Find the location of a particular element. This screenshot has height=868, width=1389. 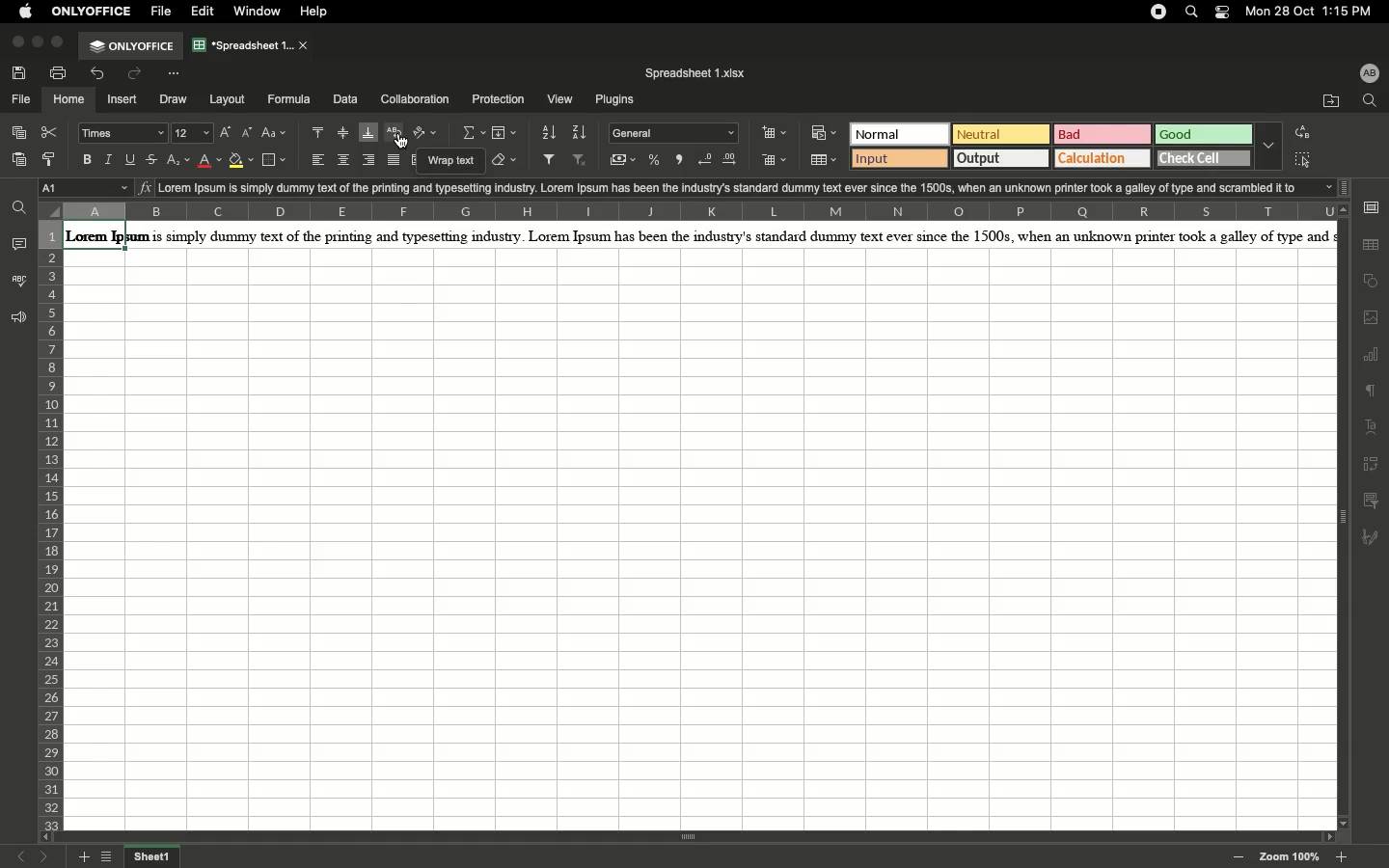

Select all is located at coordinates (1301, 162).